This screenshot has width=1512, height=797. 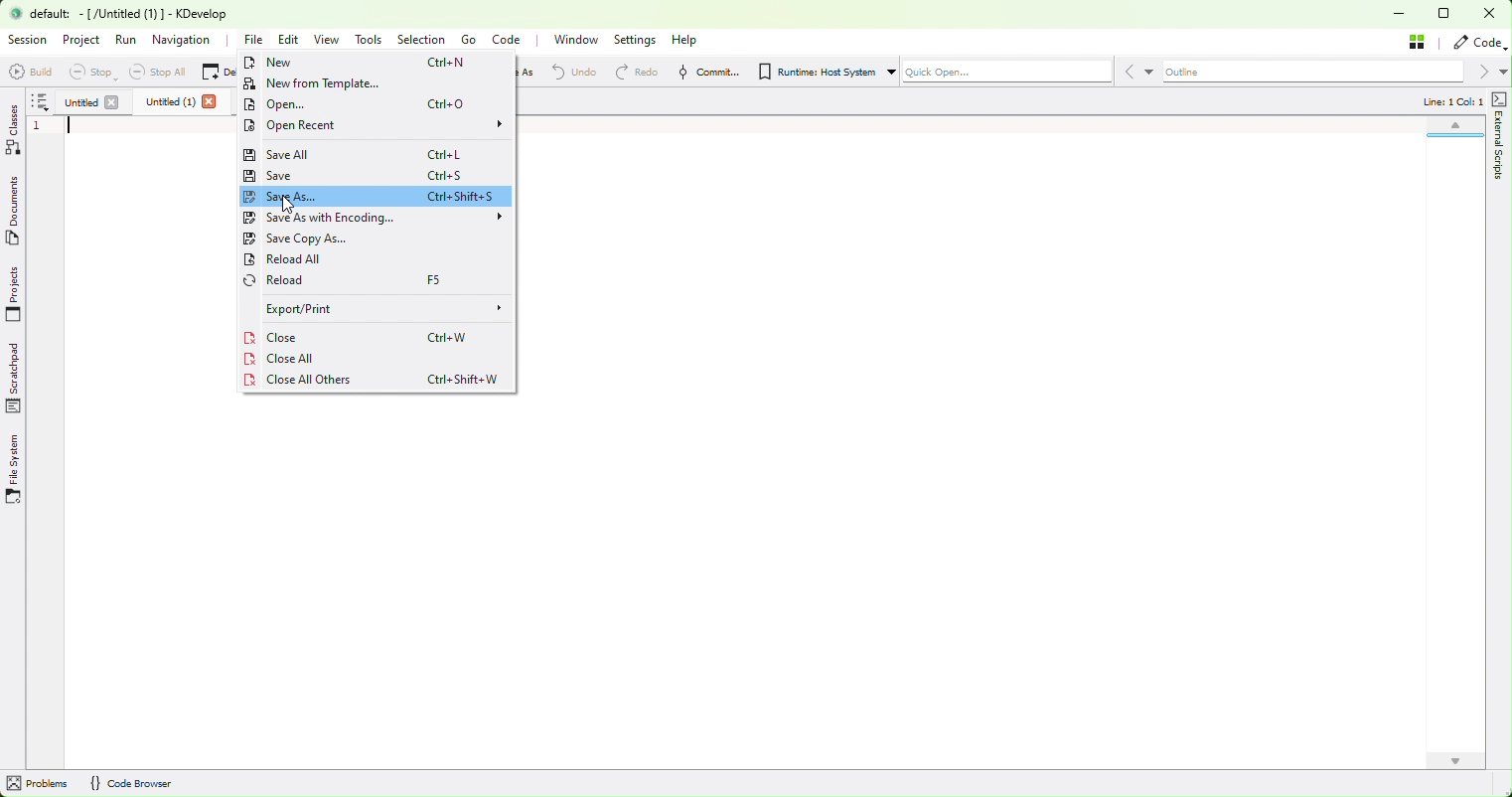 What do you see at coordinates (444, 154) in the screenshot?
I see `Ctrl+L` at bounding box center [444, 154].